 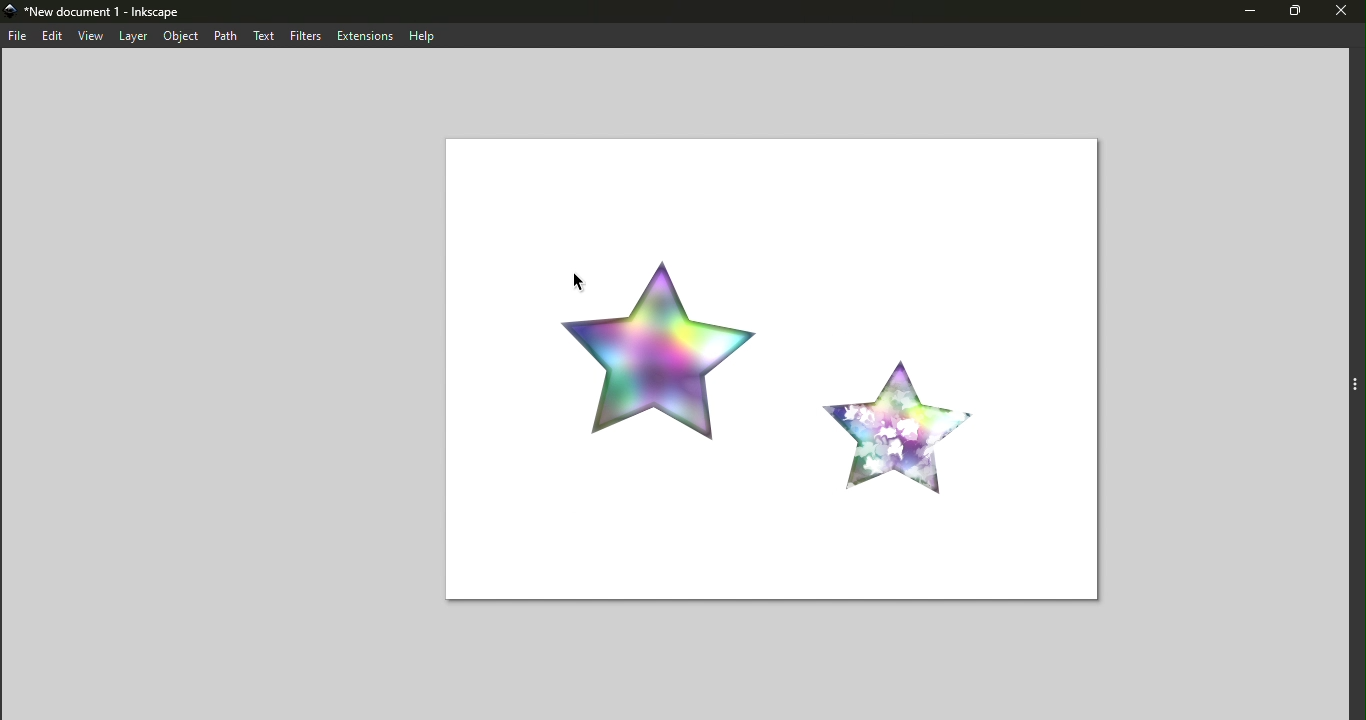 I want to click on object, so click(x=181, y=38).